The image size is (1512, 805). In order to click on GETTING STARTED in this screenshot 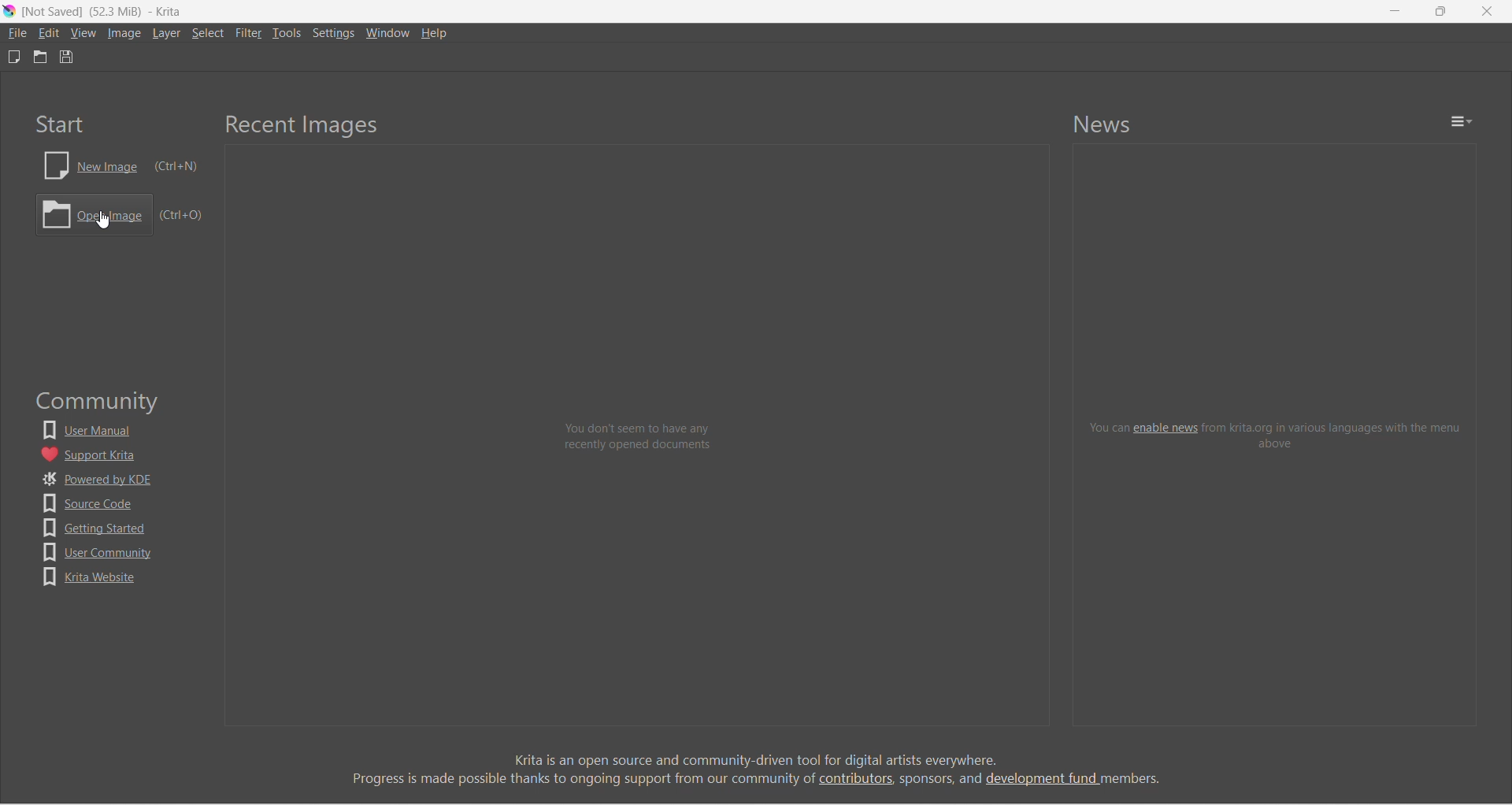, I will do `click(98, 528)`.